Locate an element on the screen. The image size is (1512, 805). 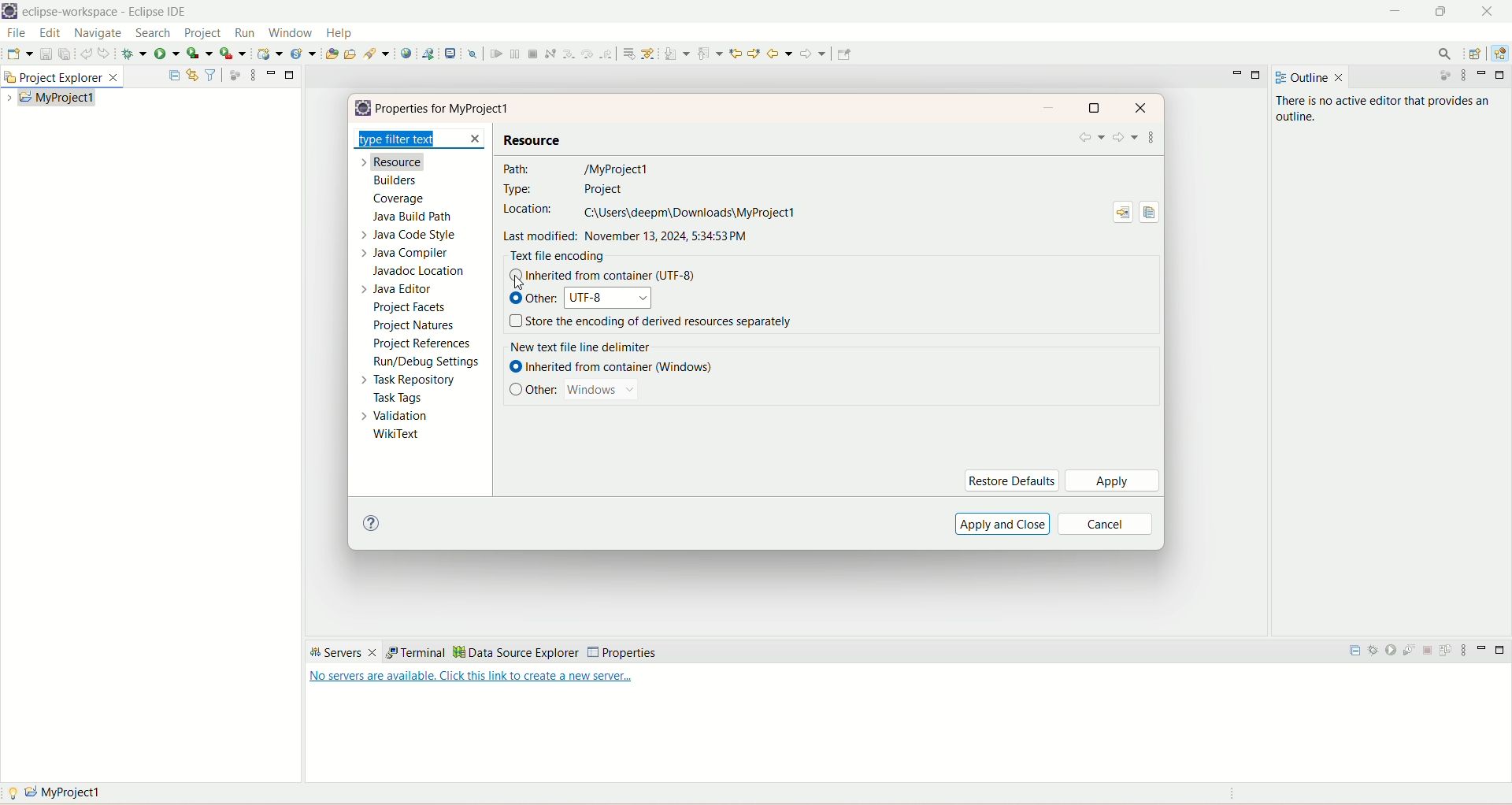
java build path is located at coordinates (415, 218).